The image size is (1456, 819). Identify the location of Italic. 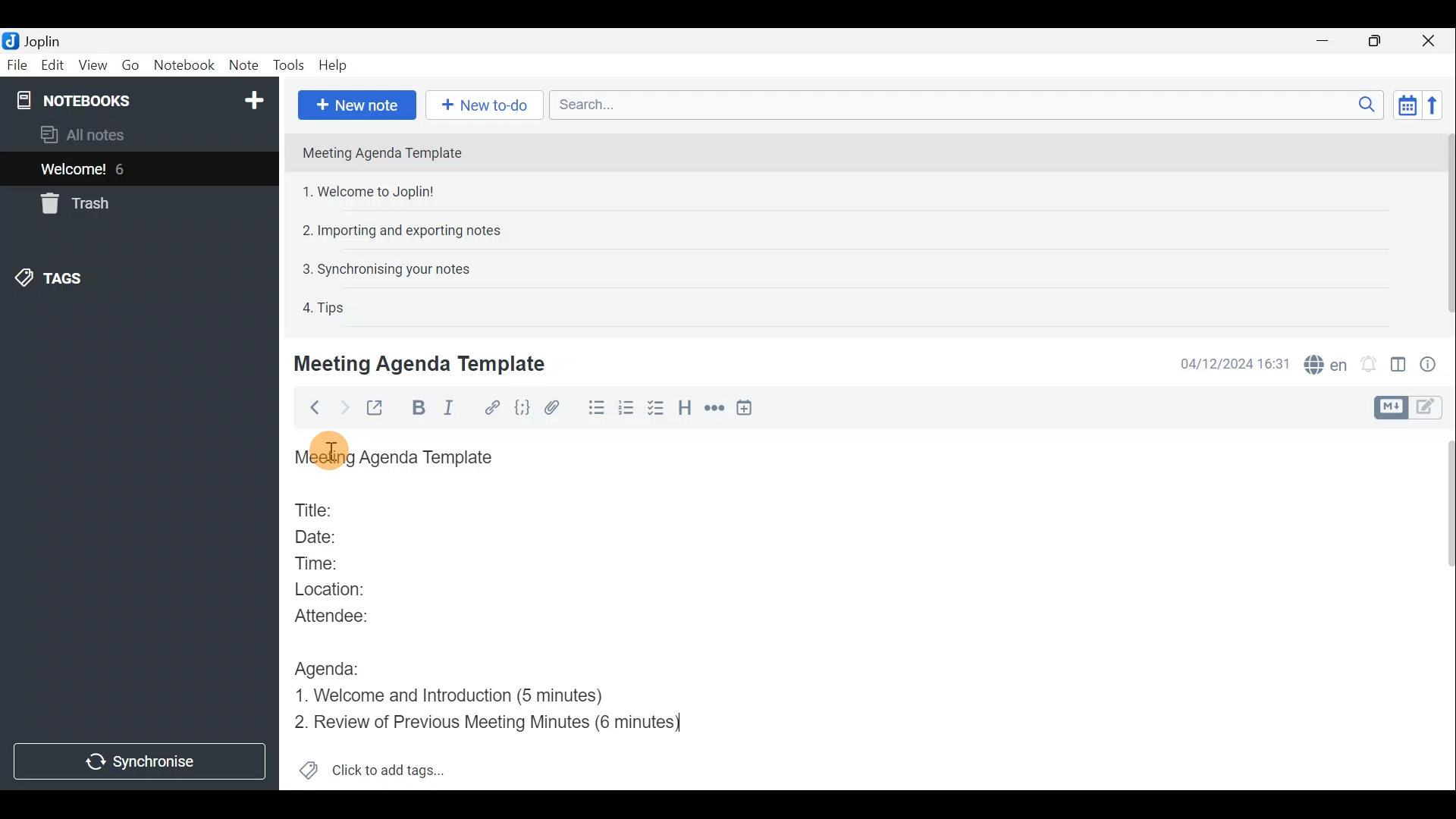
(457, 409).